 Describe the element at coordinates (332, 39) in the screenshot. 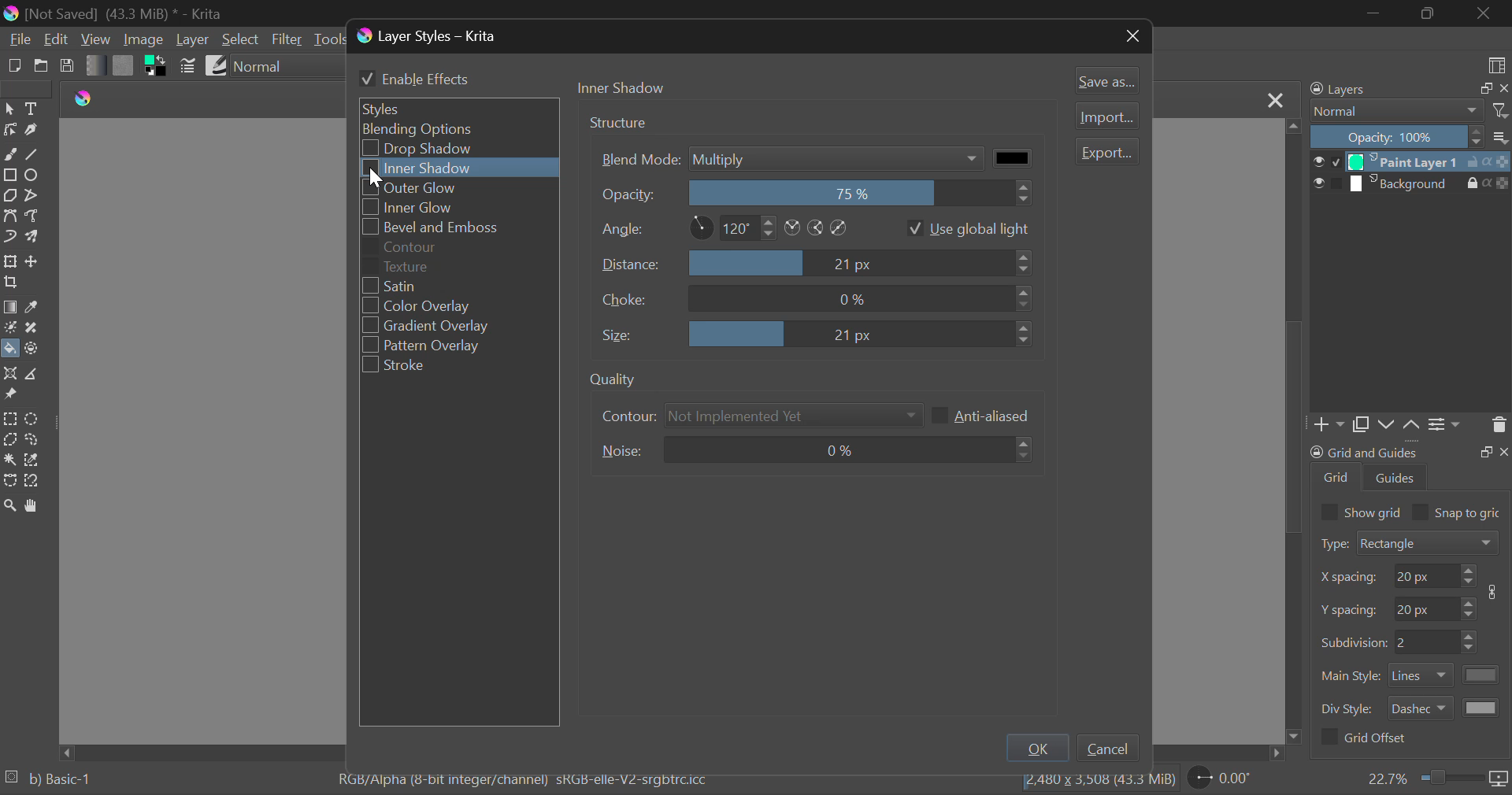

I see `Tools` at that location.